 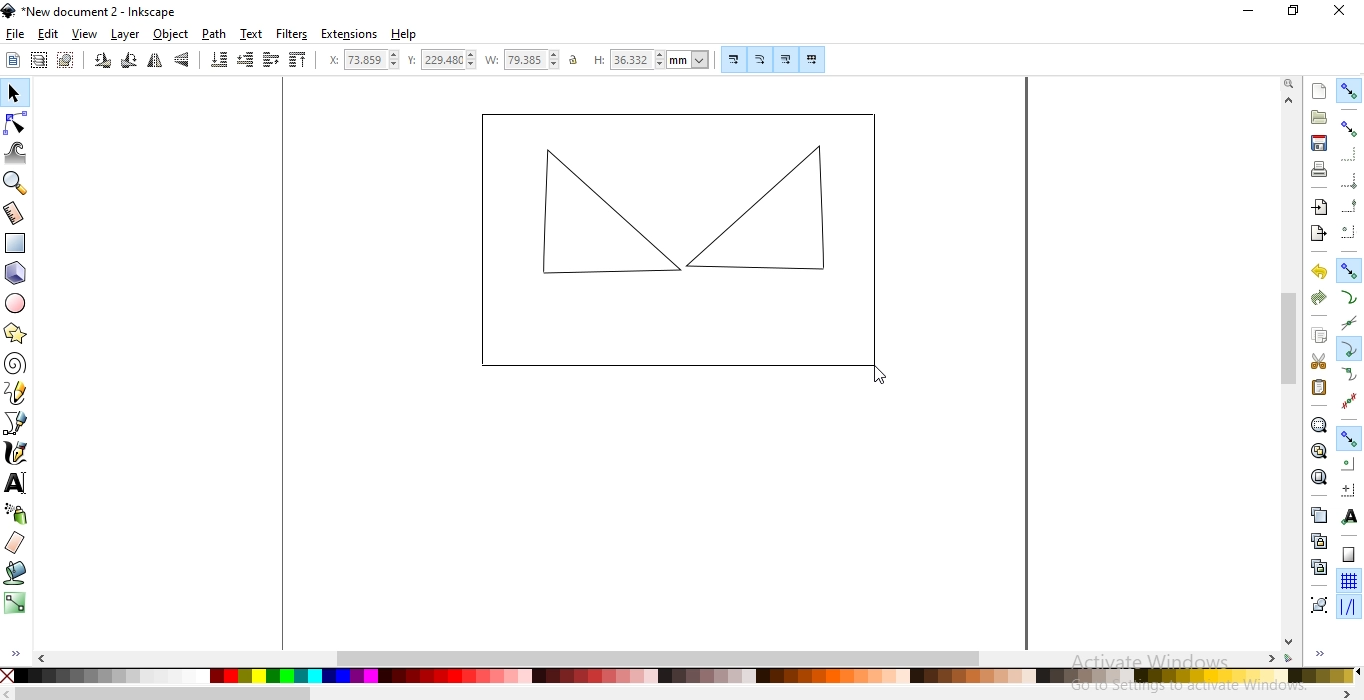 What do you see at coordinates (16, 183) in the screenshot?
I see `zoom in or out` at bounding box center [16, 183].